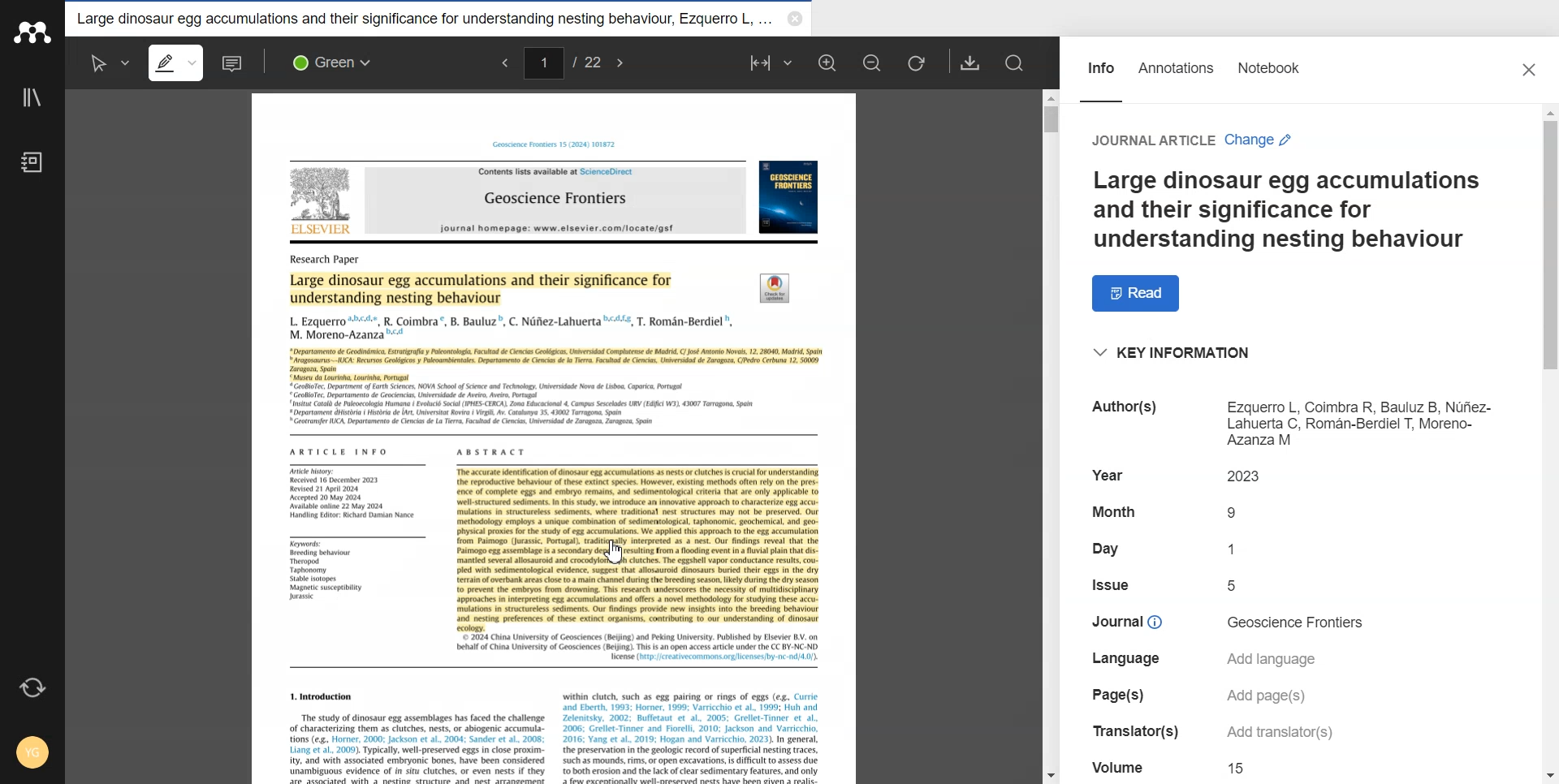 Image resolution: width=1559 pixels, height=784 pixels. Describe the element at coordinates (423, 19) in the screenshot. I see `Folder` at that location.